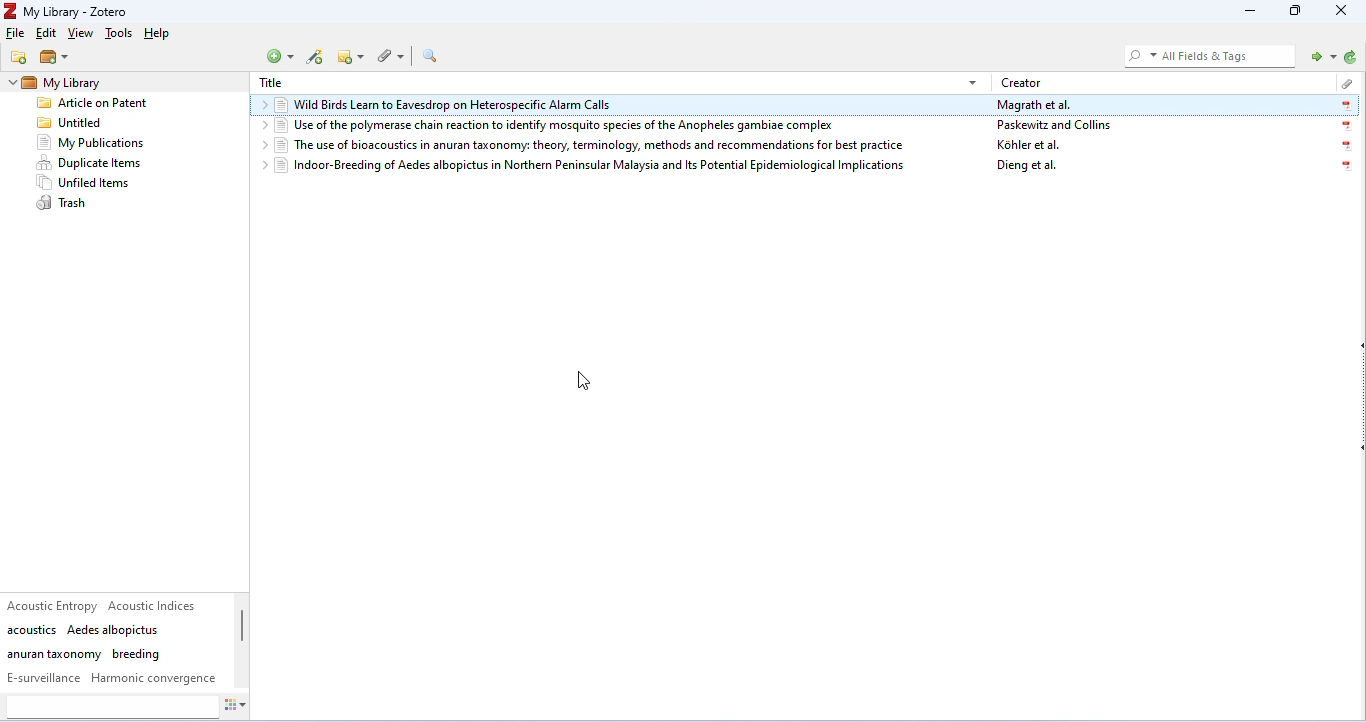 This screenshot has height=722, width=1366. What do you see at coordinates (93, 105) in the screenshot?
I see `article on patent` at bounding box center [93, 105].